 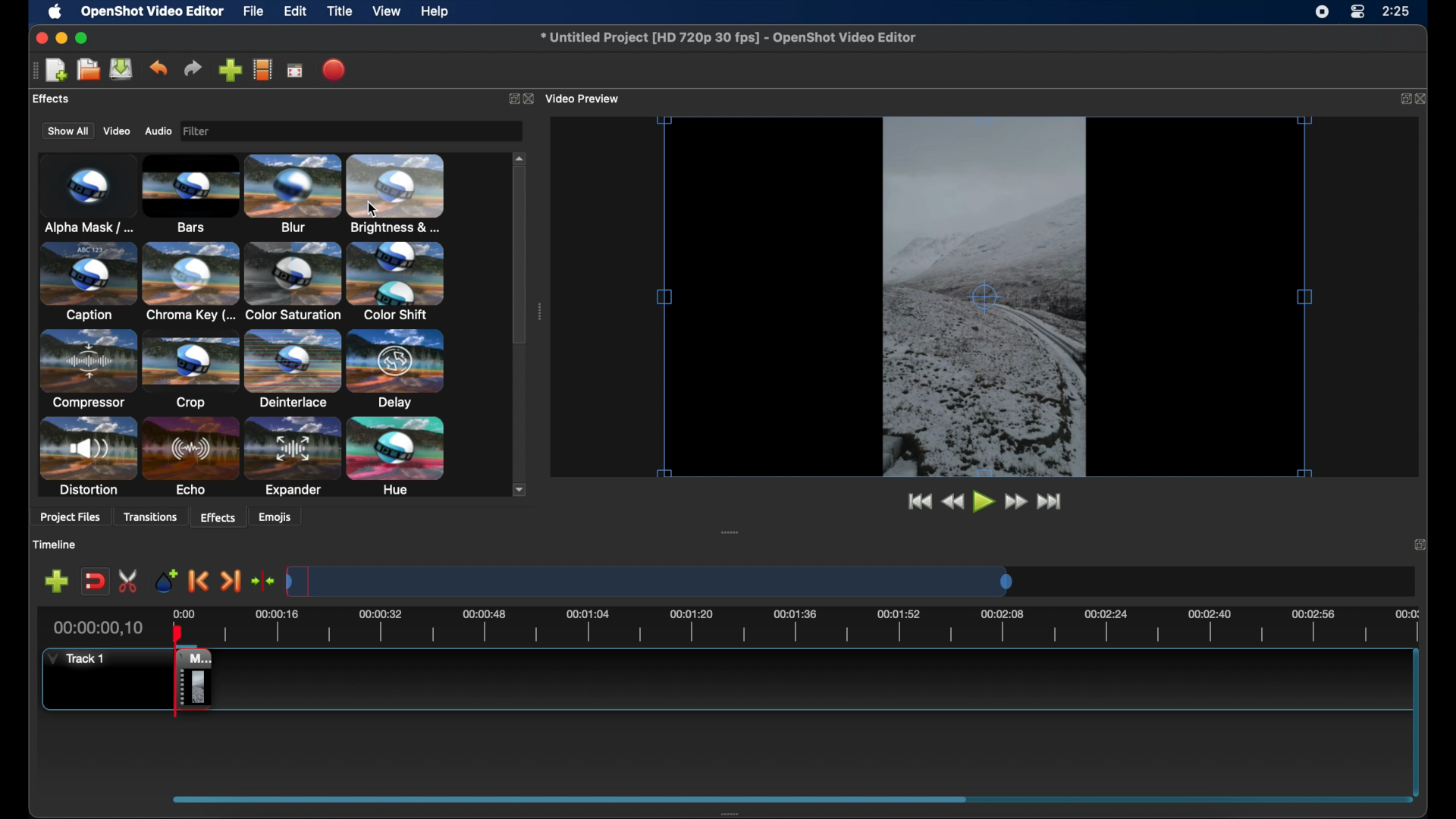 What do you see at coordinates (88, 70) in the screenshot?
I see `open project` at bounding box center [88, 70].